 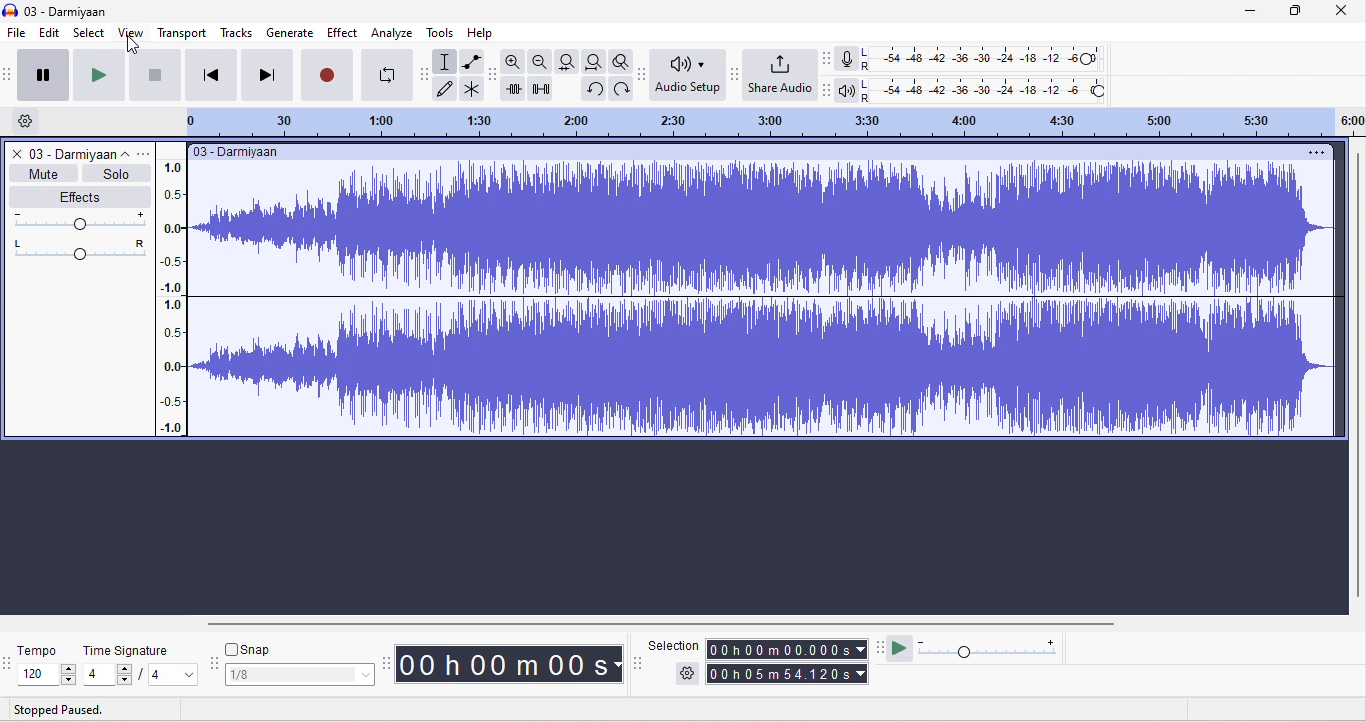 I want to click on loop, so click(x=390, y=75).